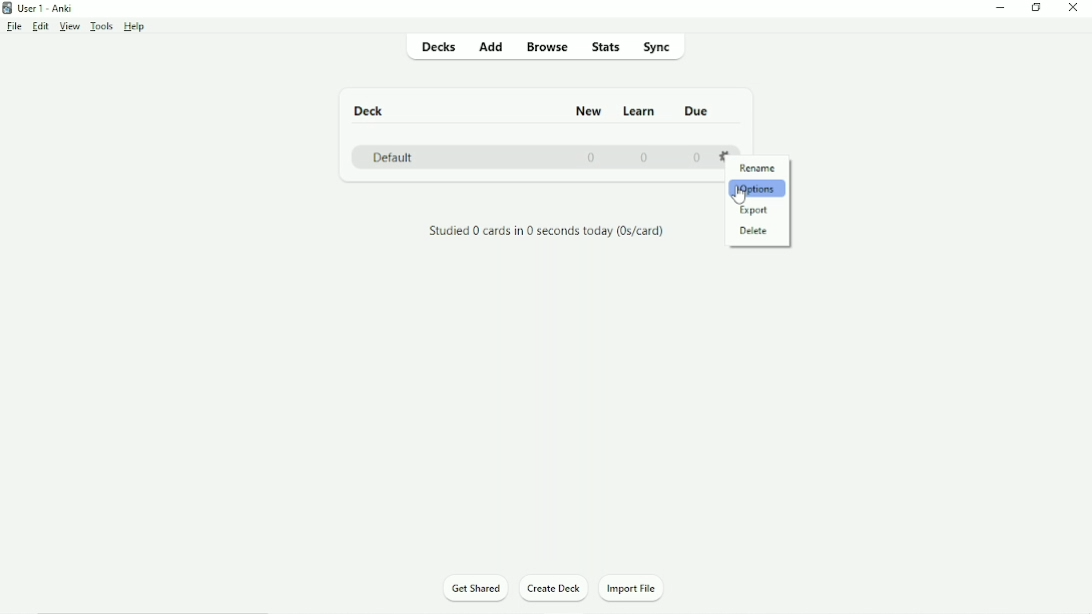 This screenshot has width=1092, height=614. Describe the element at coordinates (647, 156) in the screenshot. I see `0` at that location.